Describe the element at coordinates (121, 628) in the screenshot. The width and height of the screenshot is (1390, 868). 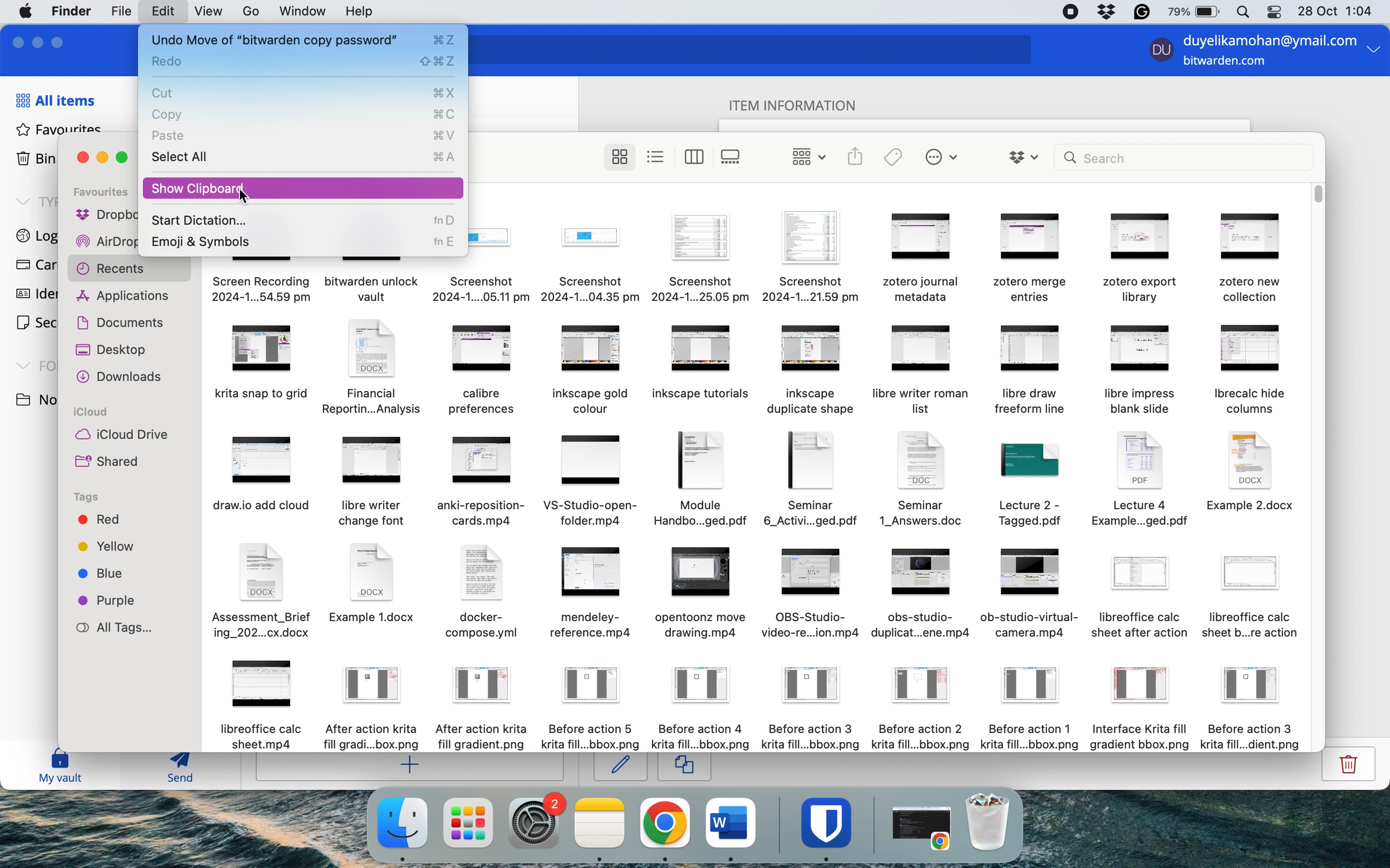
I see `all tags` at that location.